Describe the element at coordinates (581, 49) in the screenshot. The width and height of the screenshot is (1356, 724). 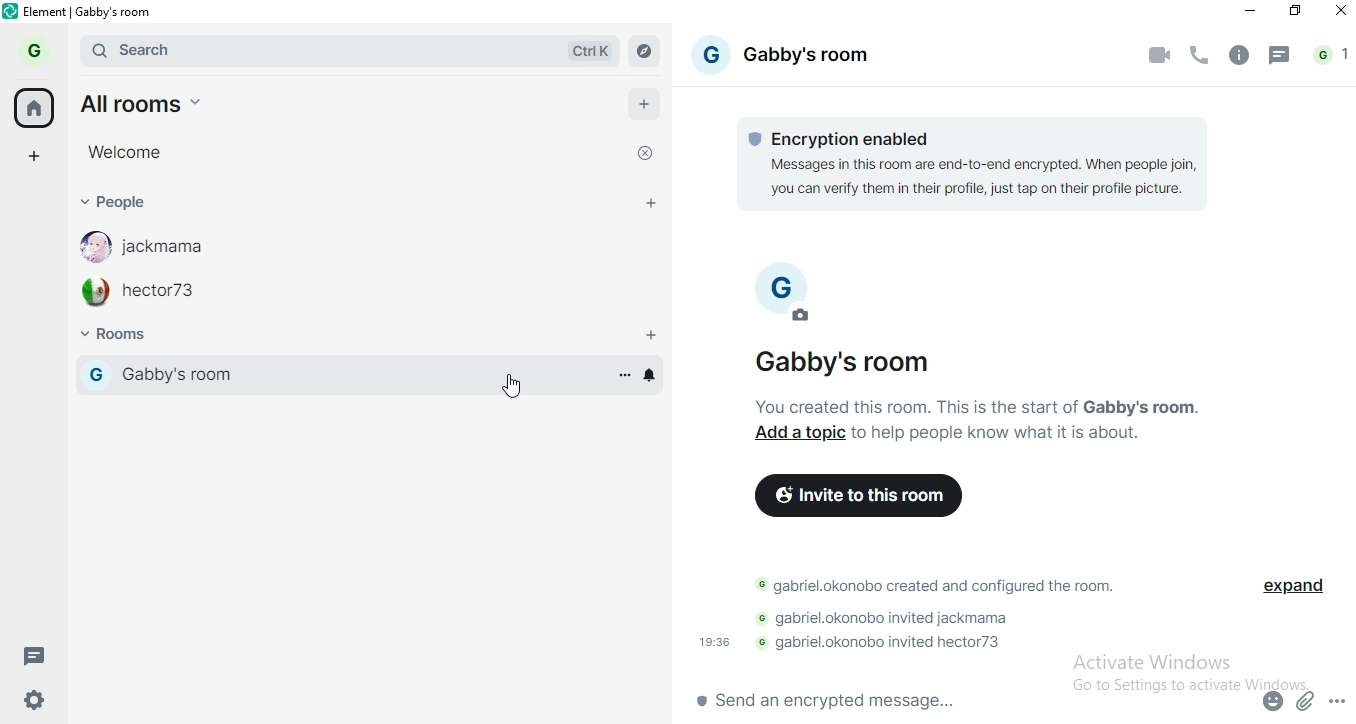
I see `ctrl k` at that location.